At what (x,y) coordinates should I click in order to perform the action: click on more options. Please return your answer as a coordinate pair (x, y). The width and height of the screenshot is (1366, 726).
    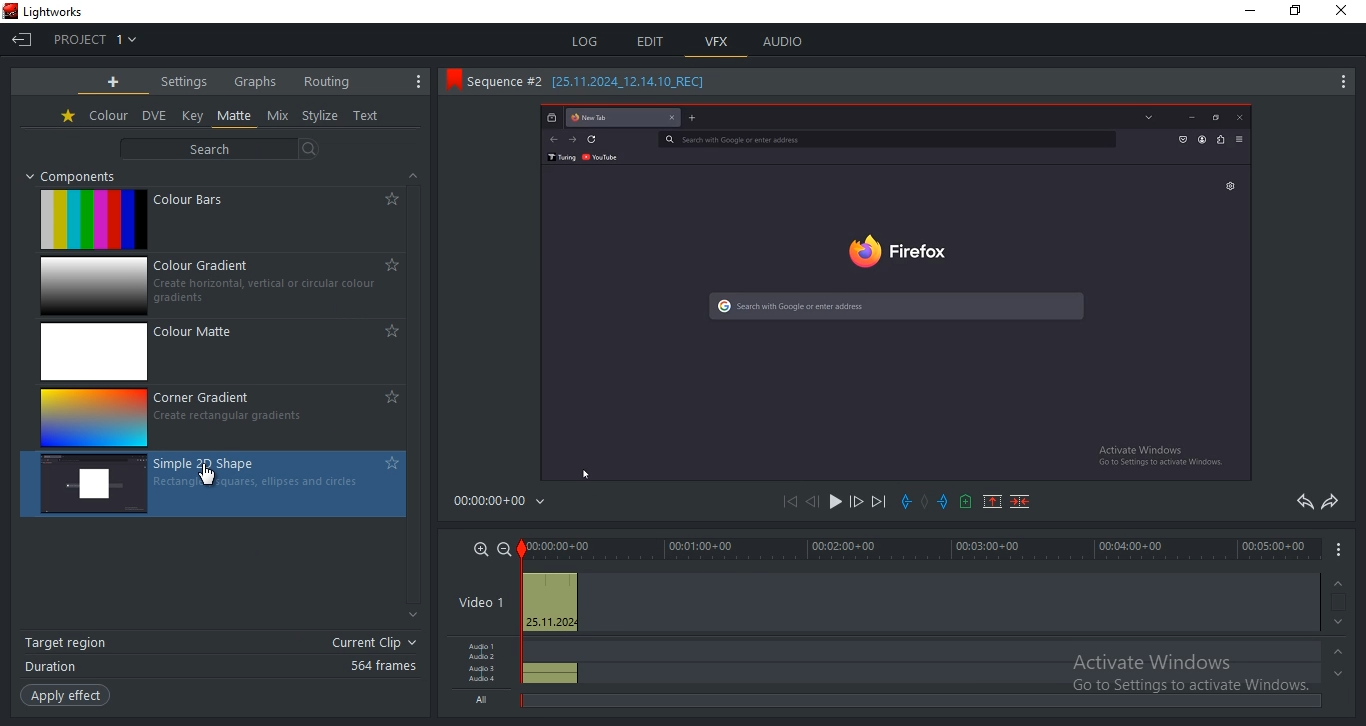
    Looking at the image, I should click on (1340, 85).